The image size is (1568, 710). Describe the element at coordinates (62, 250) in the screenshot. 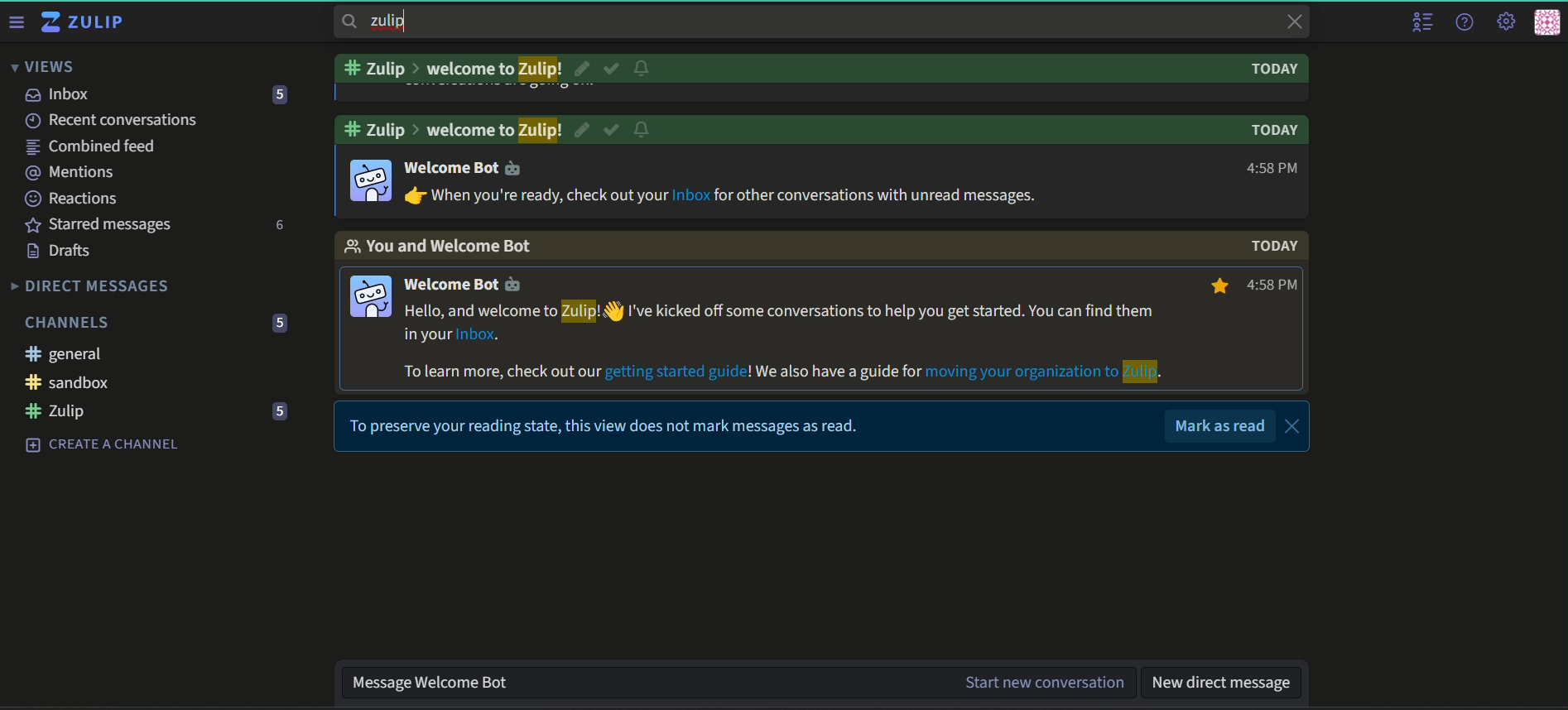

I see `Drafts` at that location.